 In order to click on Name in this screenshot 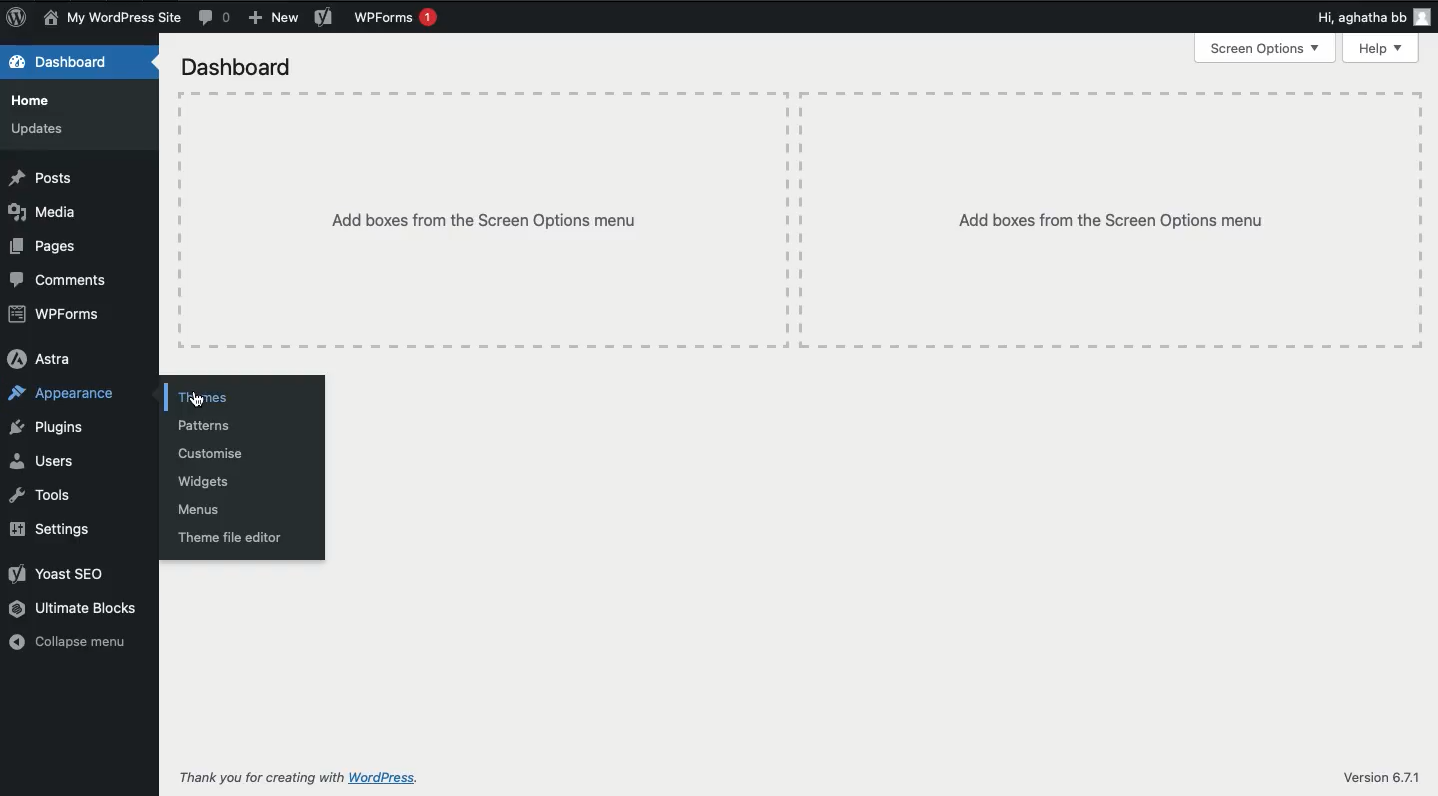, I will do `click(111, 18)`.